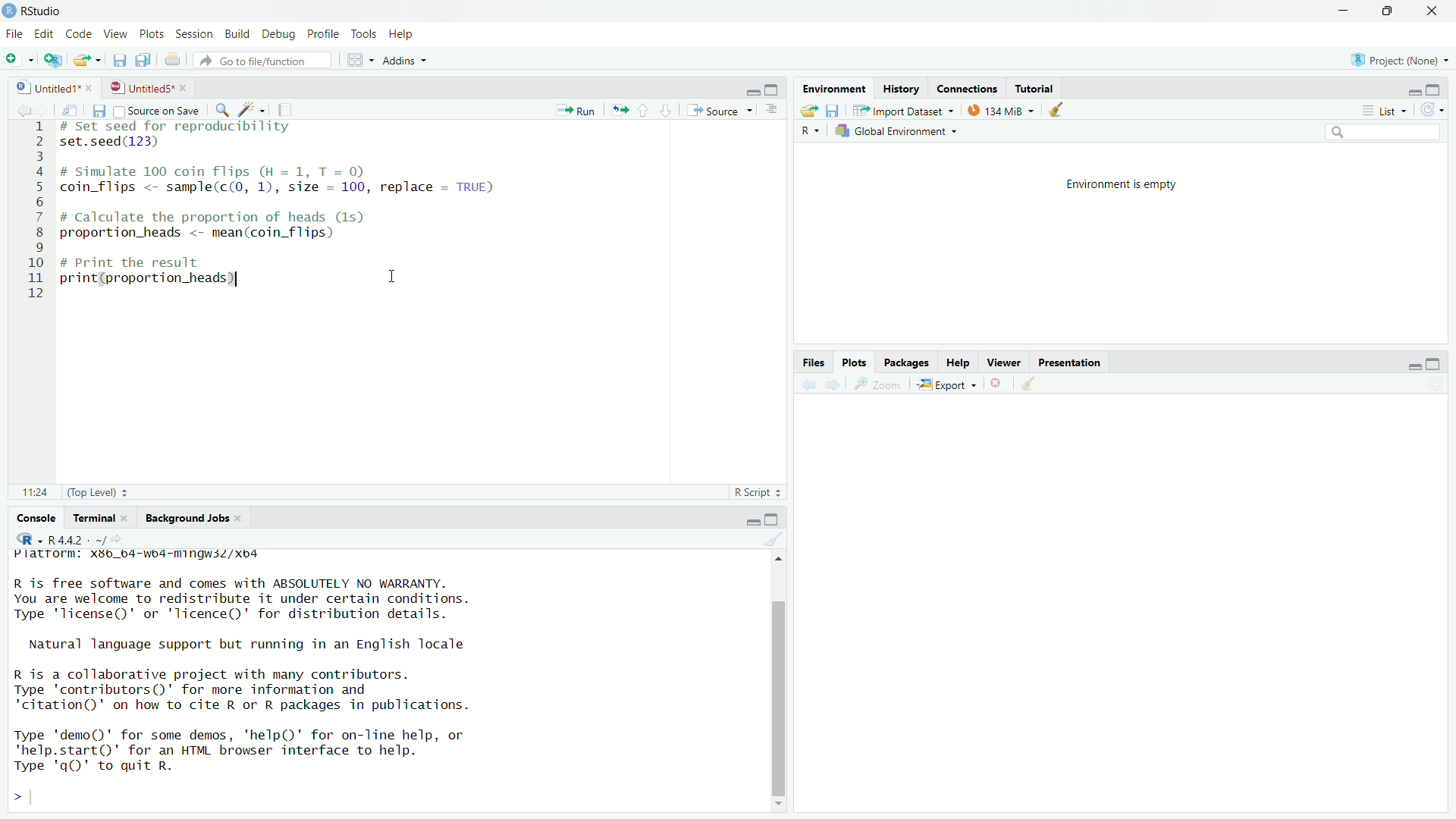  Describe the element at coordinates (313, 600) in the screenshot. I see `R is free software and comes with ABSOLUTELY NO WARRANTY.
You are welcome to redistribute it under certain conditions.
Type 'license()' or 'licence()' for distribution details.` at that location.